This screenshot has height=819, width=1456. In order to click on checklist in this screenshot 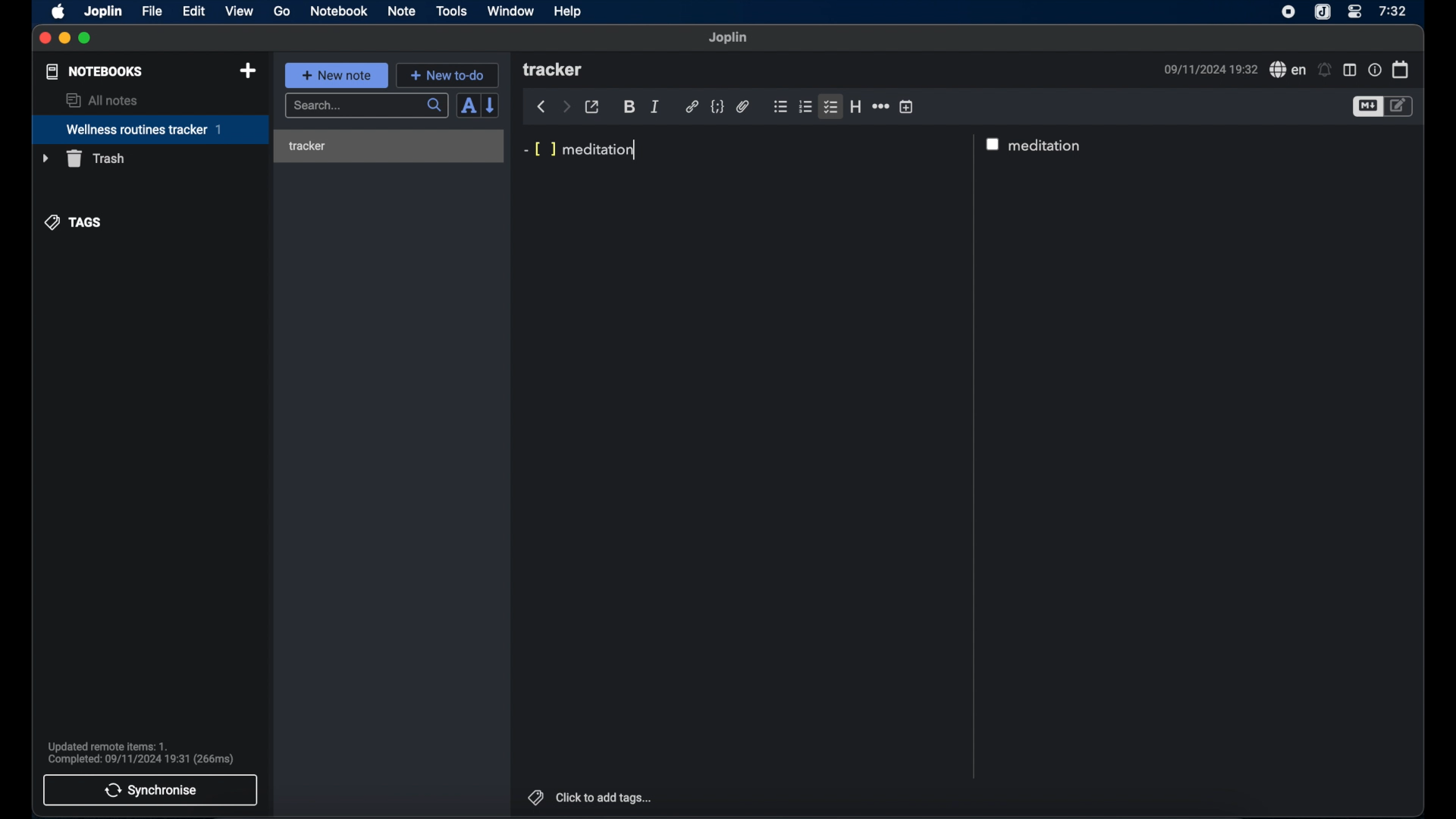, I will do `click(832, 106)`.